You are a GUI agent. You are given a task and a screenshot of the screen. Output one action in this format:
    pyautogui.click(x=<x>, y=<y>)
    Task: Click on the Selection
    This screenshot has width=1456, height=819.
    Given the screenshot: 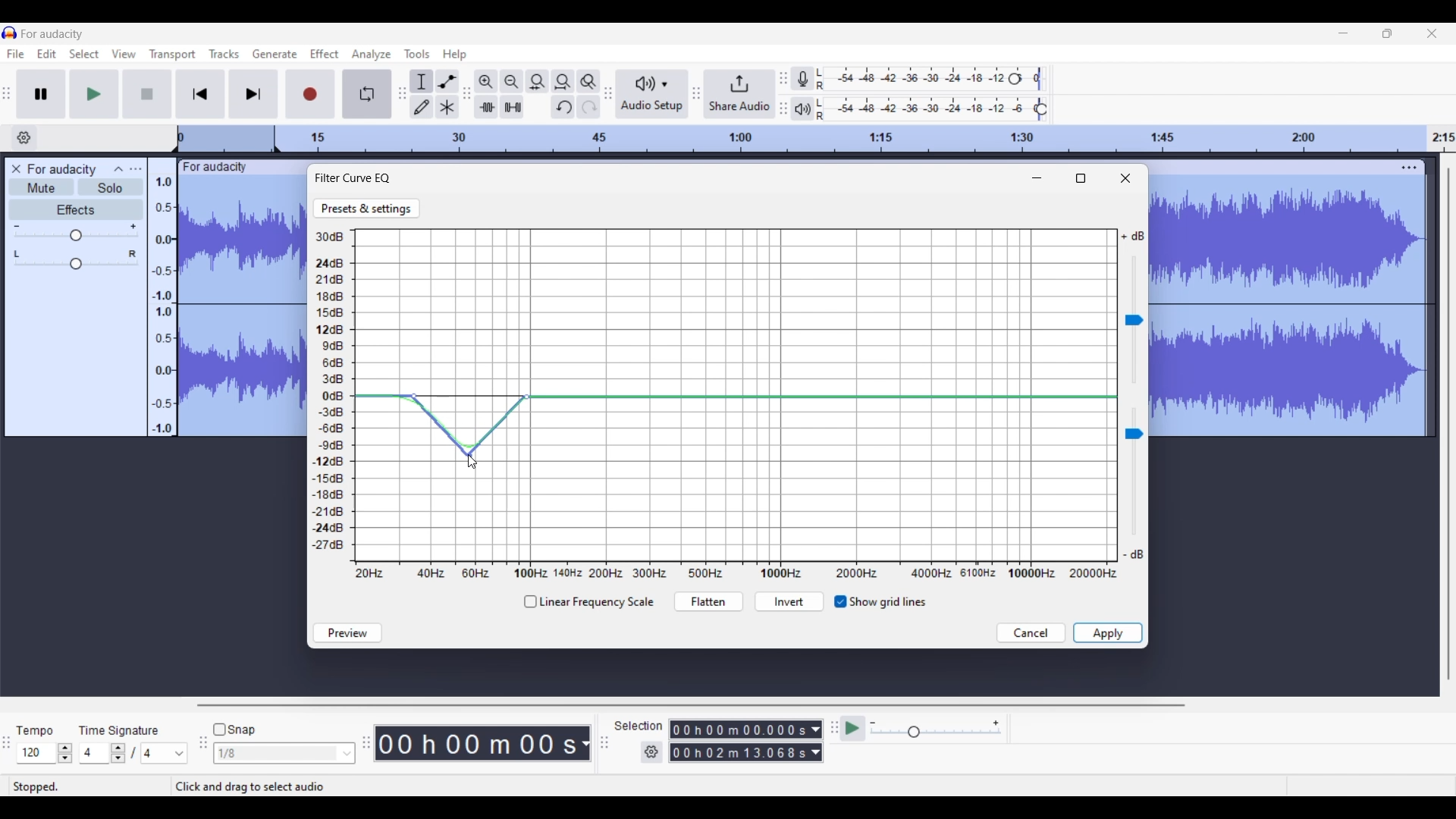 What is the action you would take?
    pyautogui.click(x=639, y=727)
    